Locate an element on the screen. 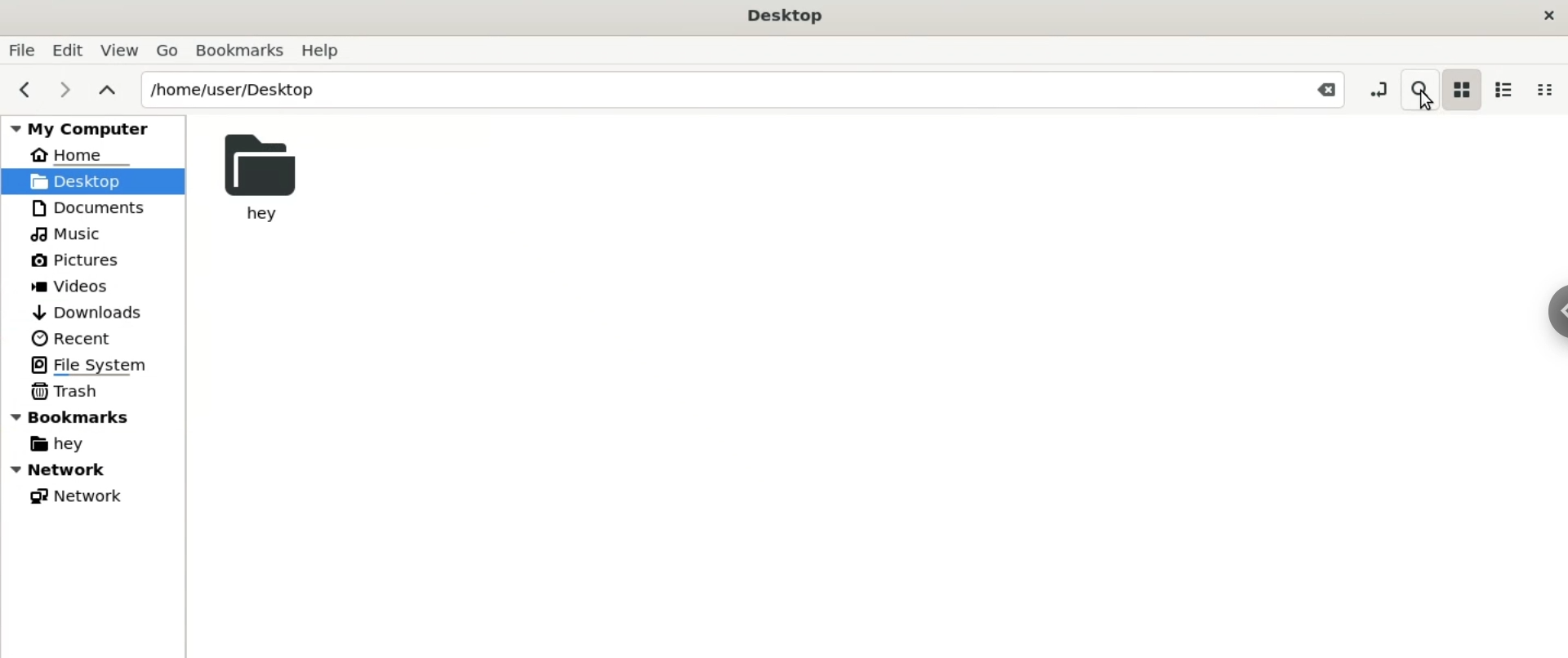 This screenshot has height=658, width=1568. Cursor is located at coordinates (1423, 102).